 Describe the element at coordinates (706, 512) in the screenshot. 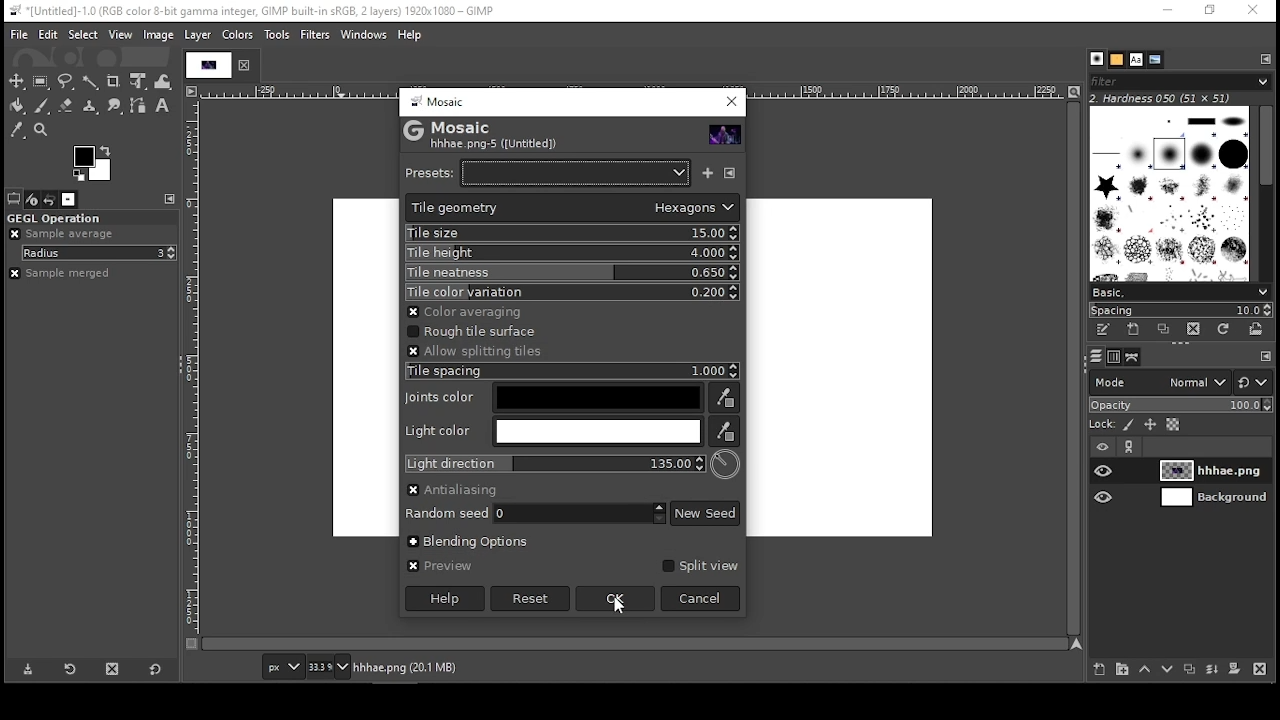

I see `new seed` at that location.